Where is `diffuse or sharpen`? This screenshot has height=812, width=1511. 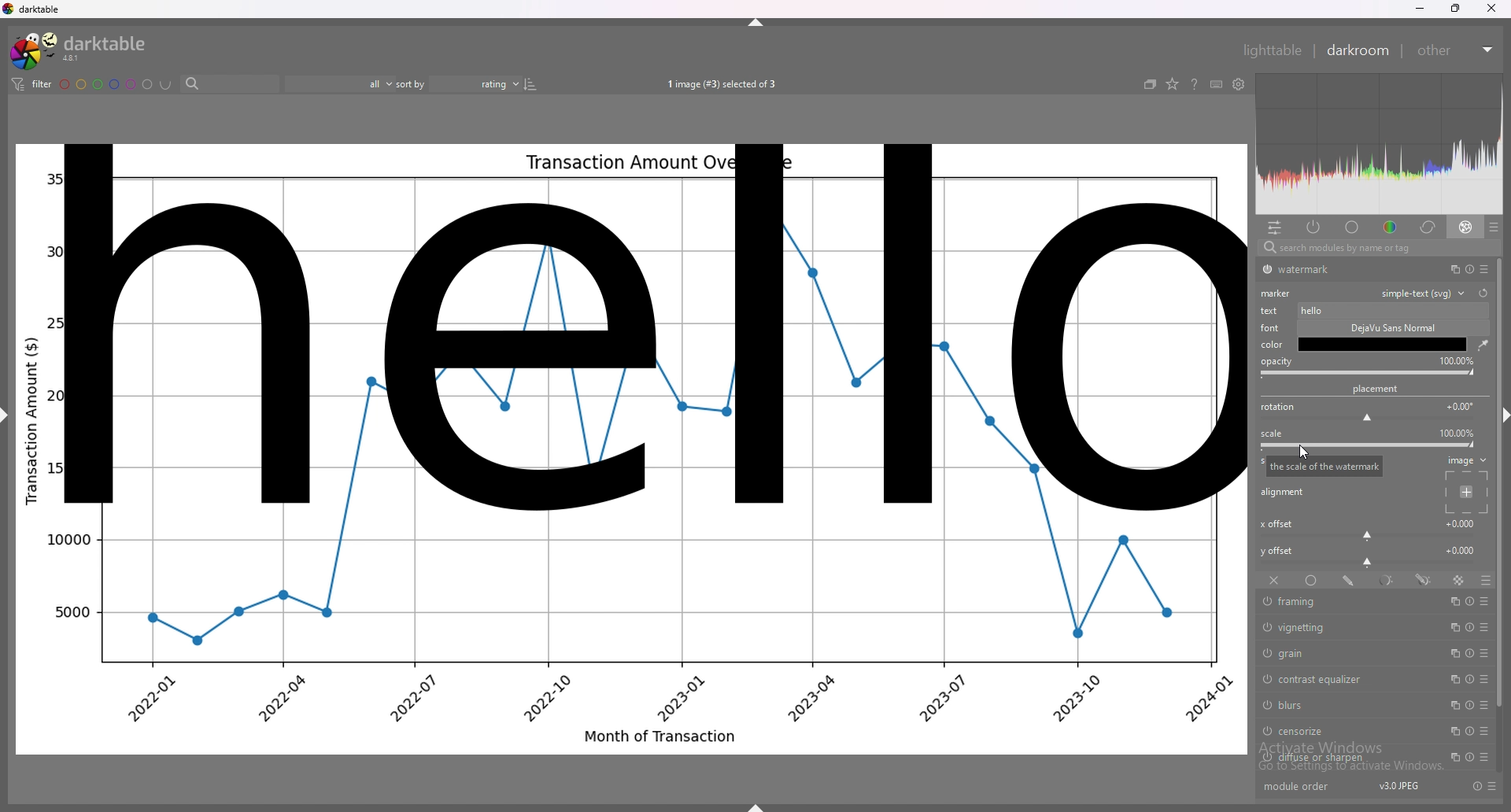
diffuse or sharpen is located at coordinates (1345, 758).